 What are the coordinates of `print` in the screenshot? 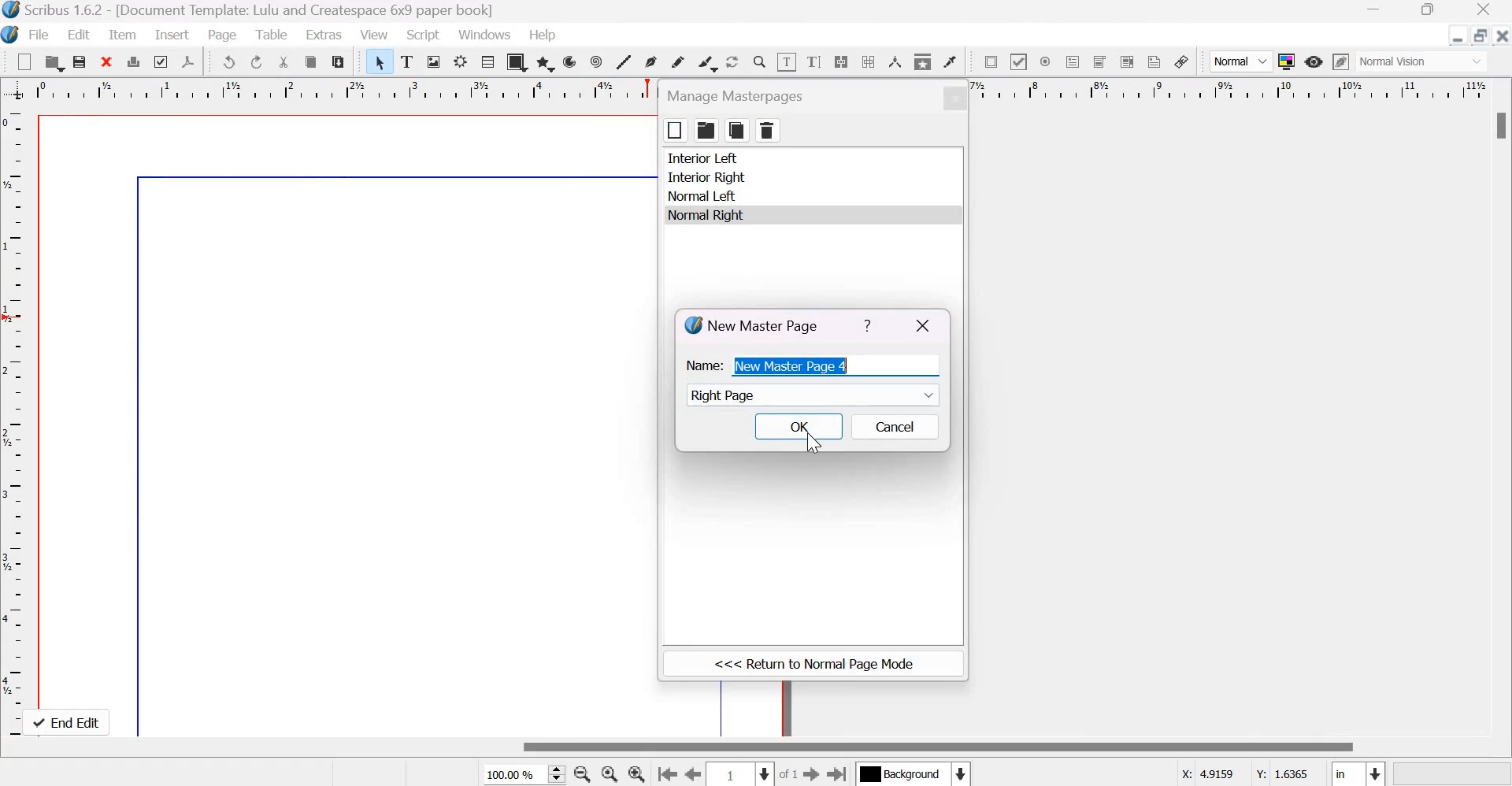 It's located at (135, 61).